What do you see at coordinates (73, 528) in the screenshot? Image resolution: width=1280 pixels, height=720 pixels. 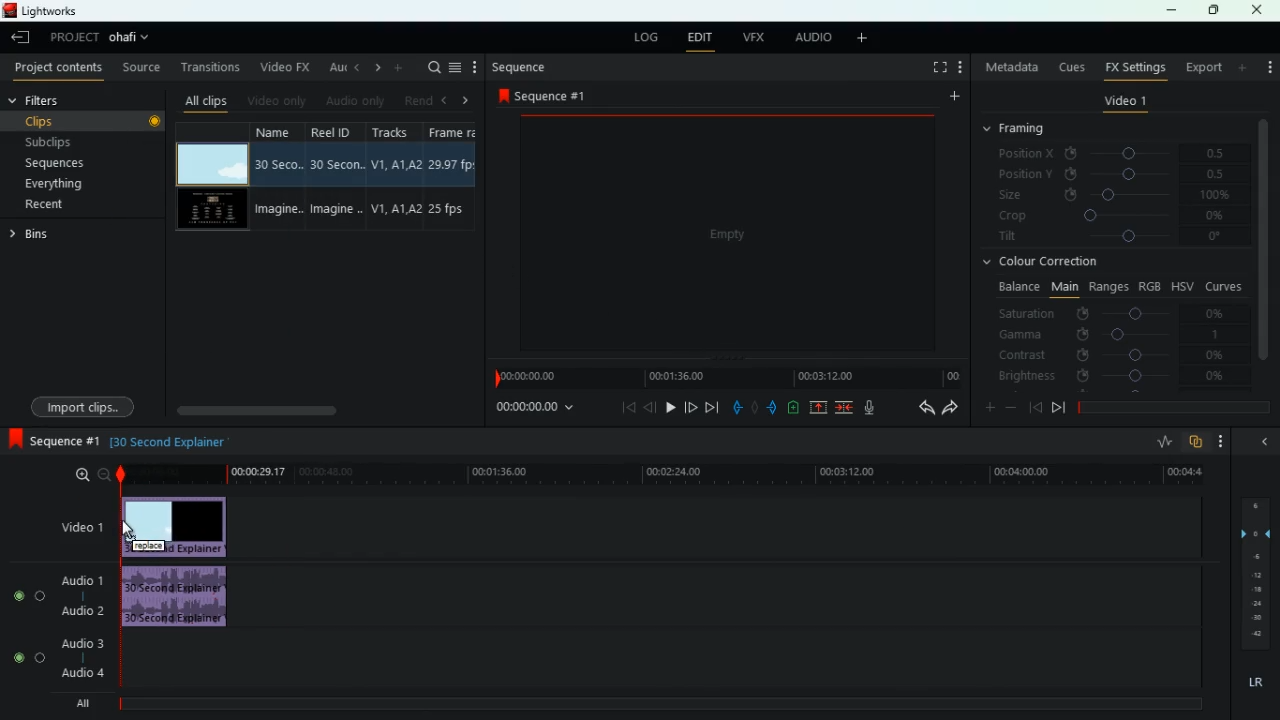 I see `video 1` at bounding box center [73, 528].